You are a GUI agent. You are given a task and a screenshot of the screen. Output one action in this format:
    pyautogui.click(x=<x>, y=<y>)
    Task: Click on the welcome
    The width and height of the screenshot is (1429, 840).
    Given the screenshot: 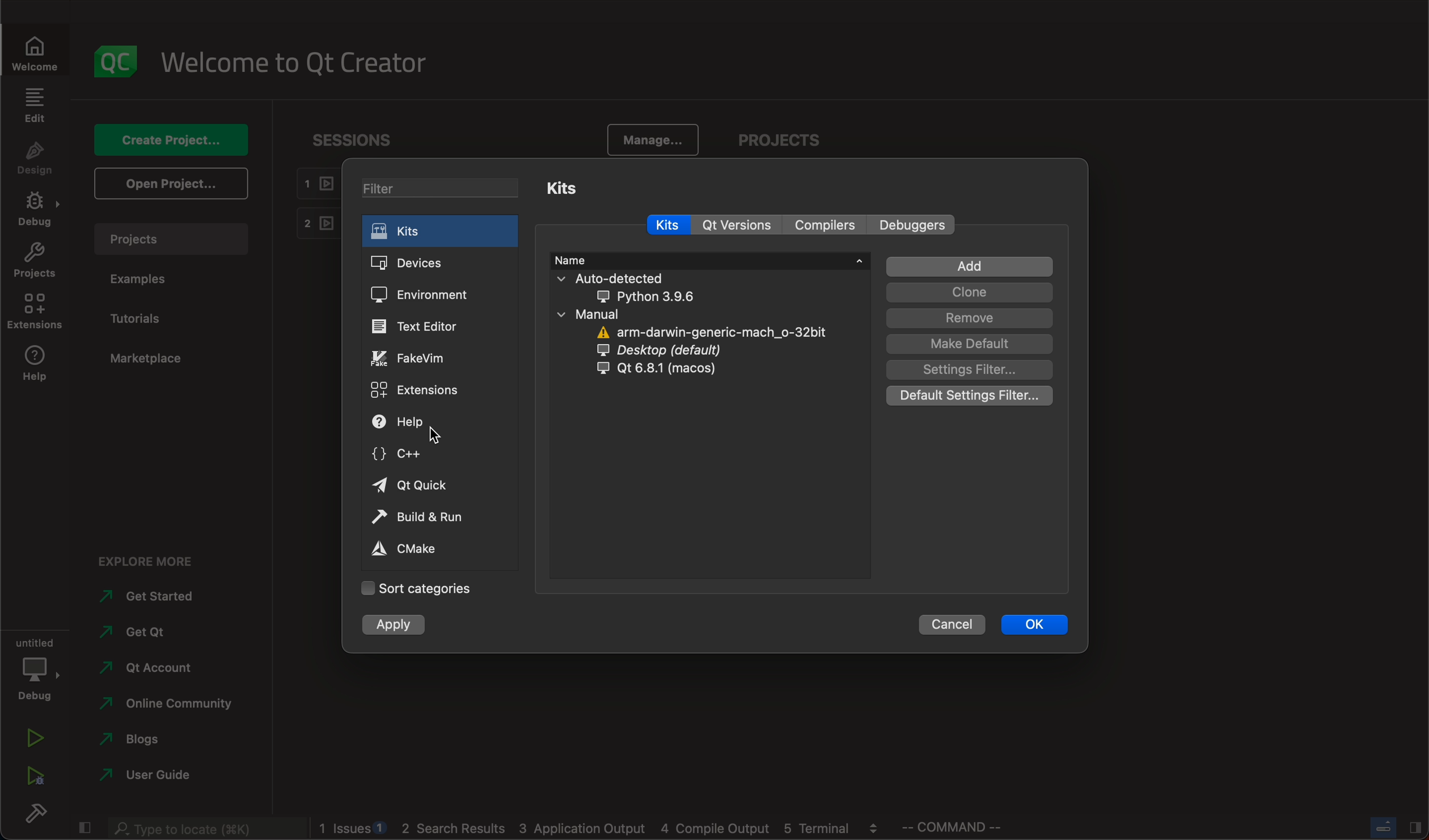 What is the action you would take?
    pyautogui.click(x=33, y=57)
    